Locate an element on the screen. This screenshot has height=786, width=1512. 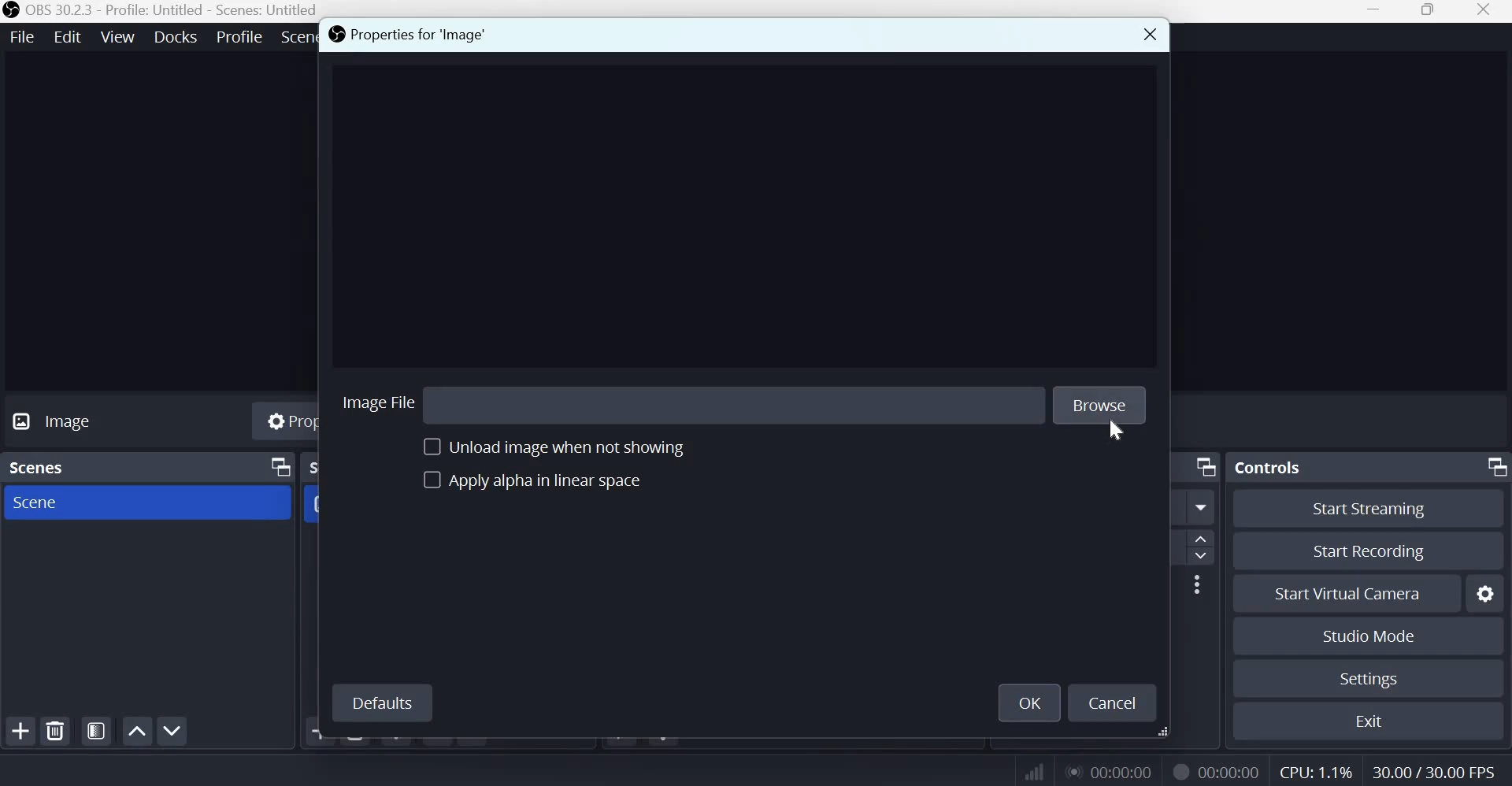
Cancel is located at coordinates (1116, 704).